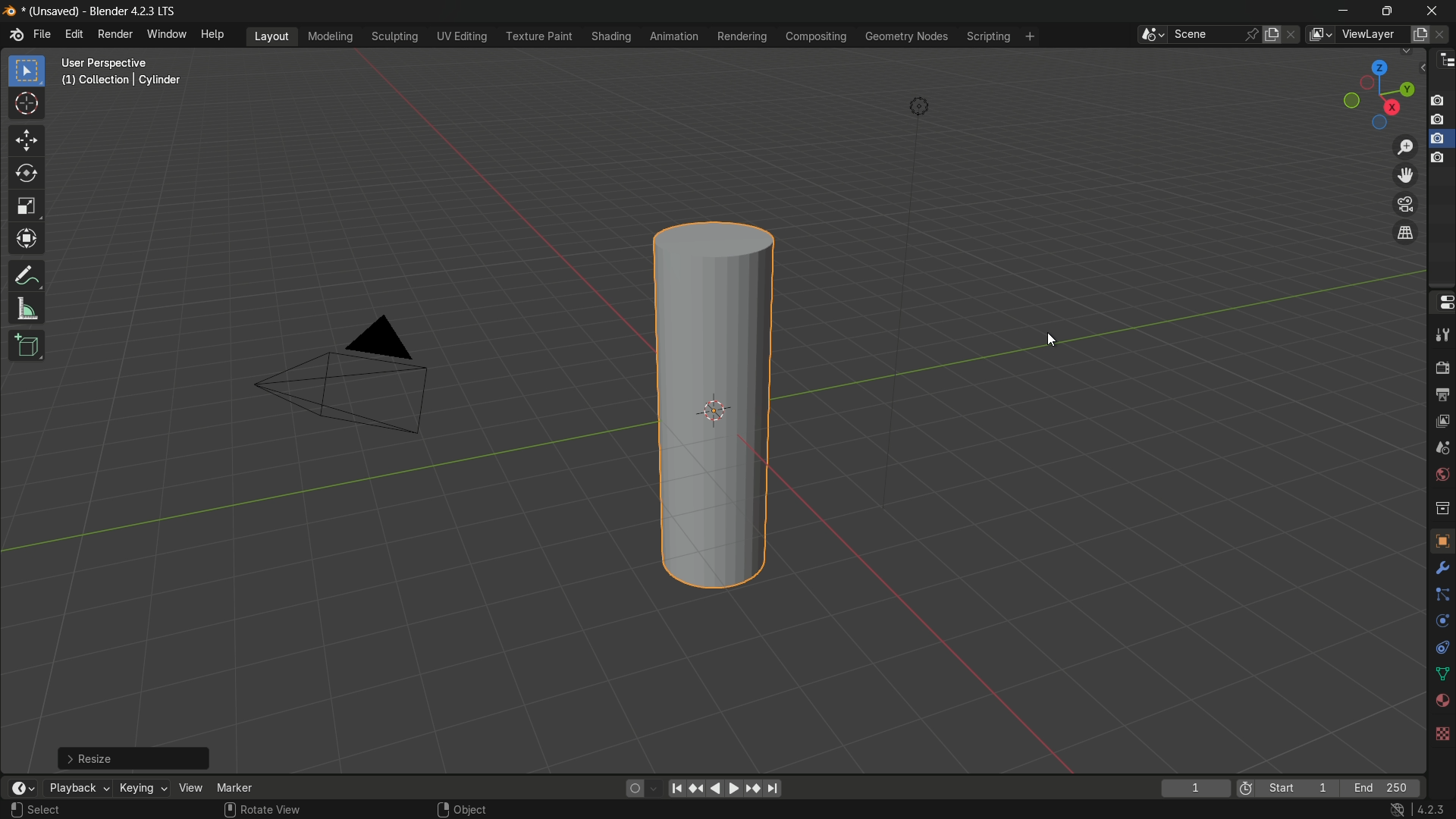  Describe the element at coordinates (461, 36) in the screenshot. I see `uv editing` at that location.